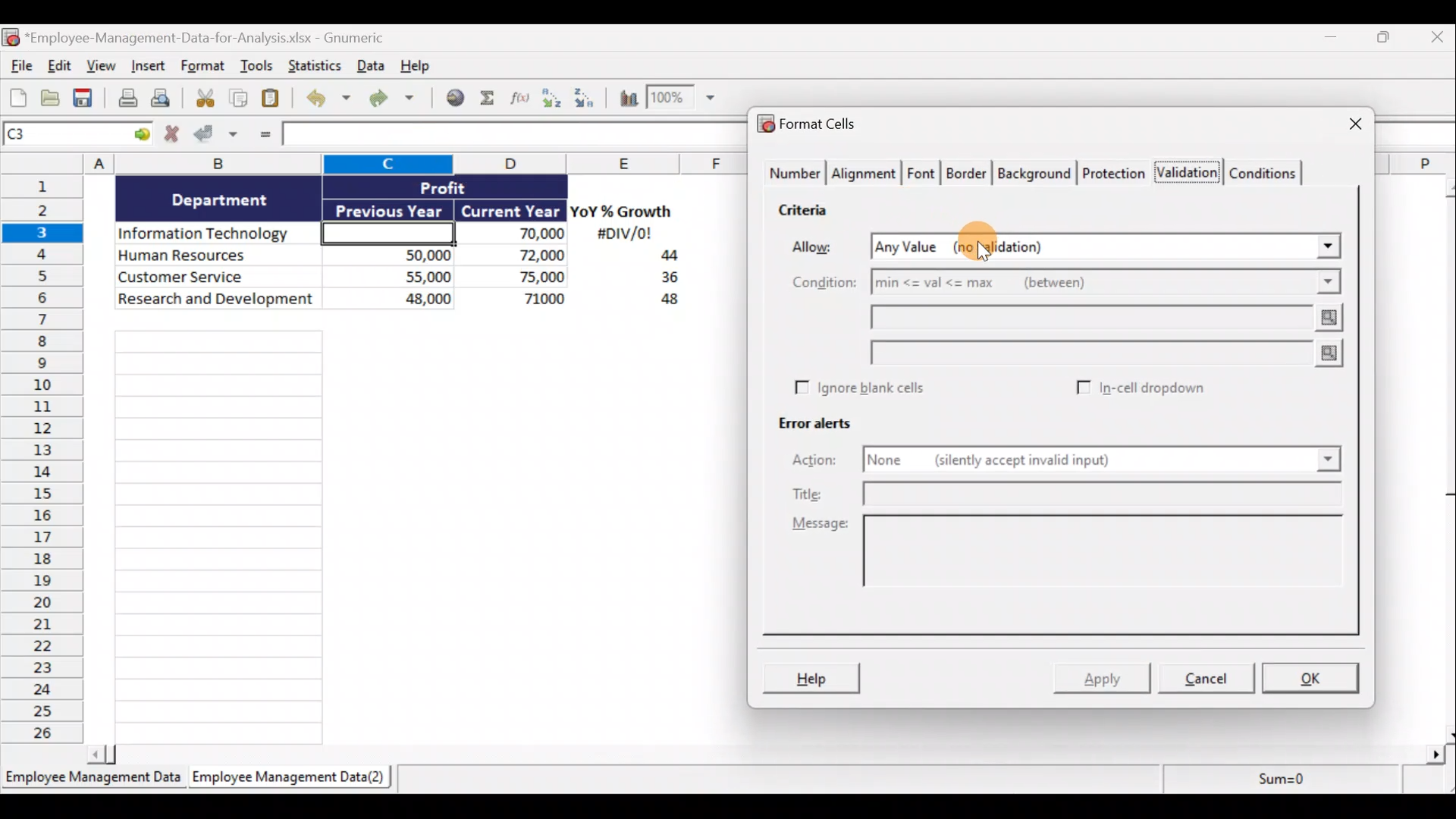  I want to click on Sum=0, so click(1275, 783).